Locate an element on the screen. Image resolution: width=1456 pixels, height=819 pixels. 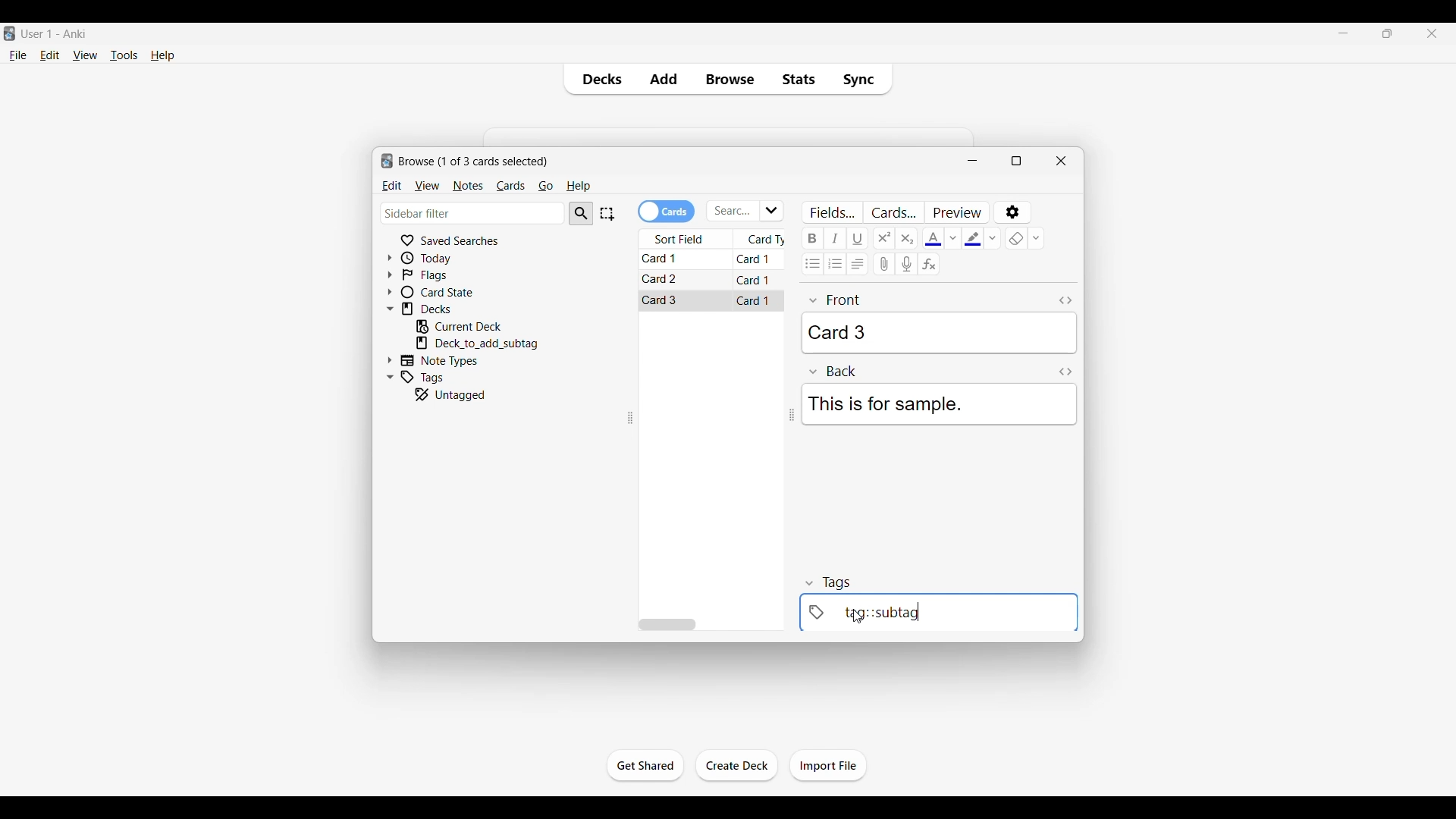
Click to go to tags is located at coordinates (449, 376).